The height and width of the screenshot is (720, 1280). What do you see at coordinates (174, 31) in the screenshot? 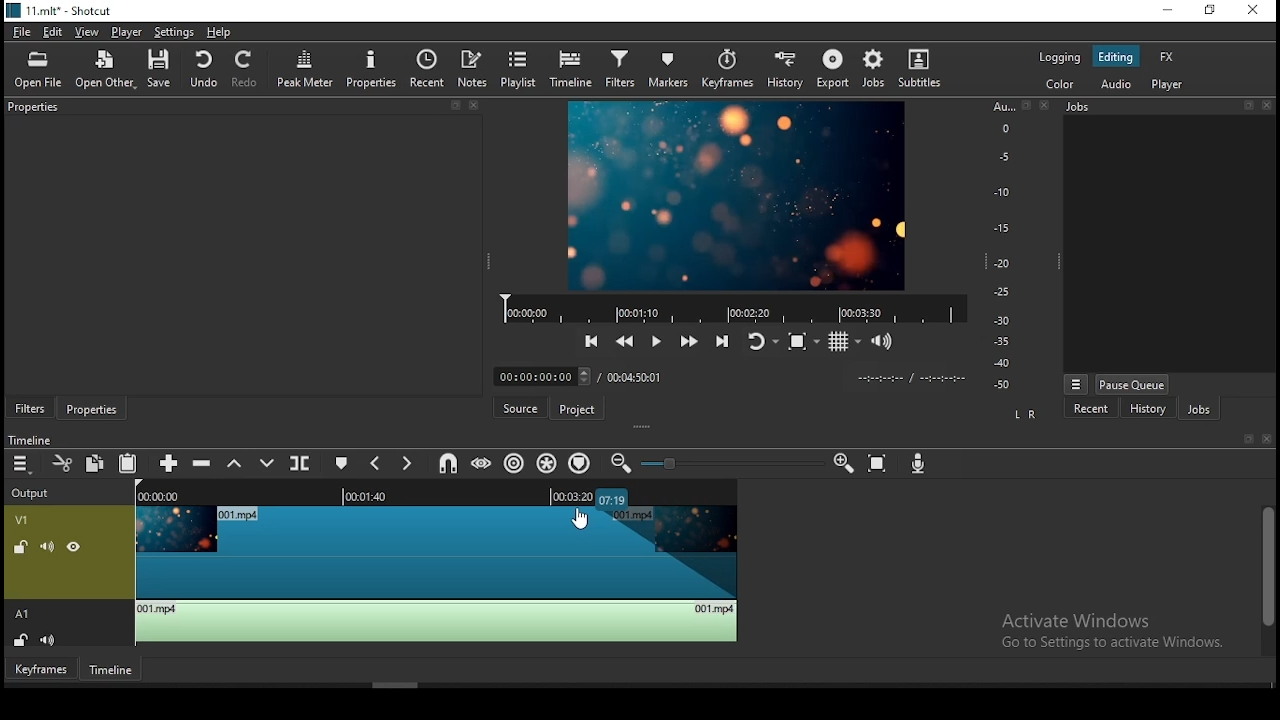
I see `settings` at bounding box center [174, 31].